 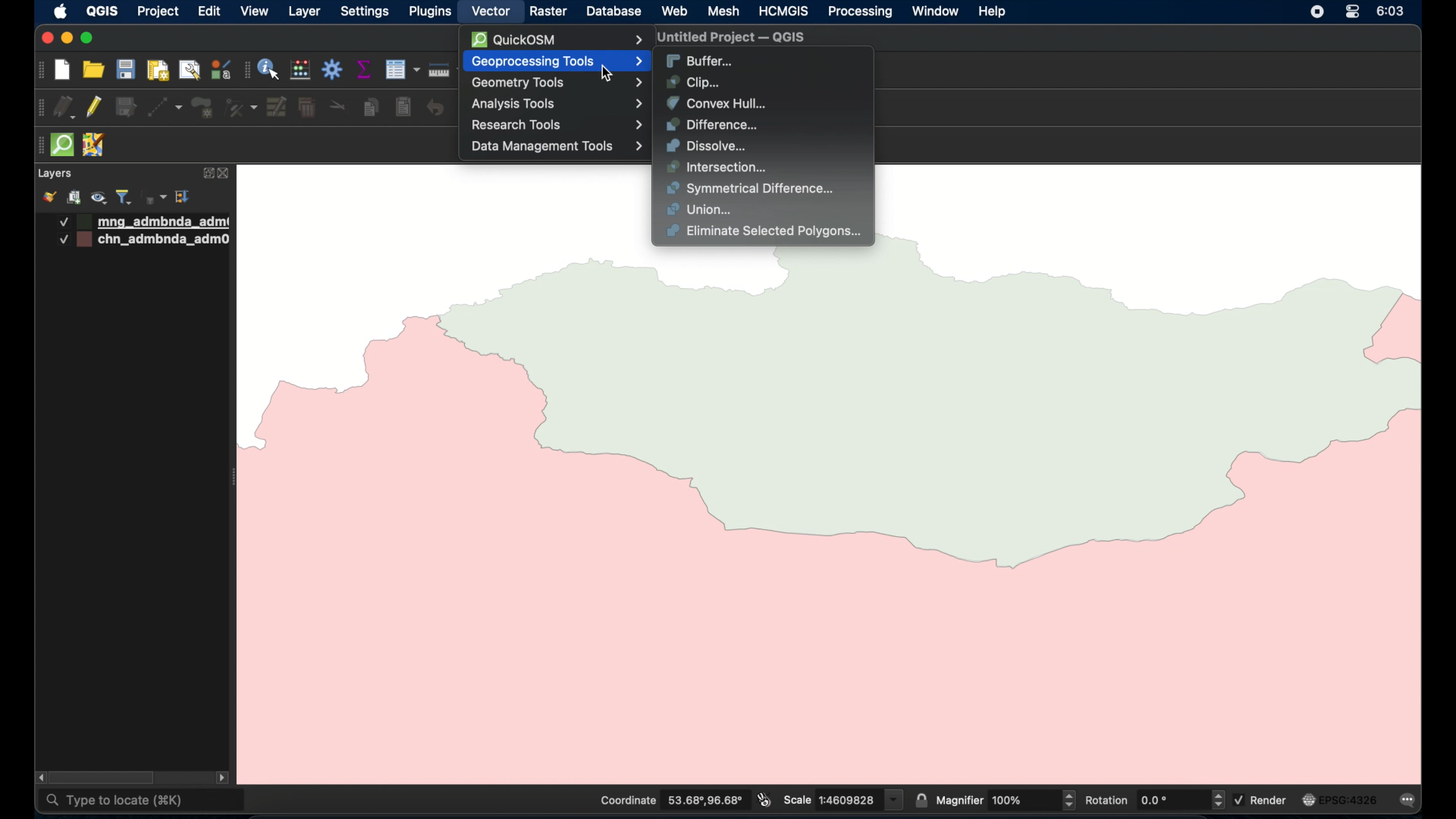 What do you see at coordinates (709, 146) in the screenshot?
I see `dissolve` at bounding box center [709, 146].